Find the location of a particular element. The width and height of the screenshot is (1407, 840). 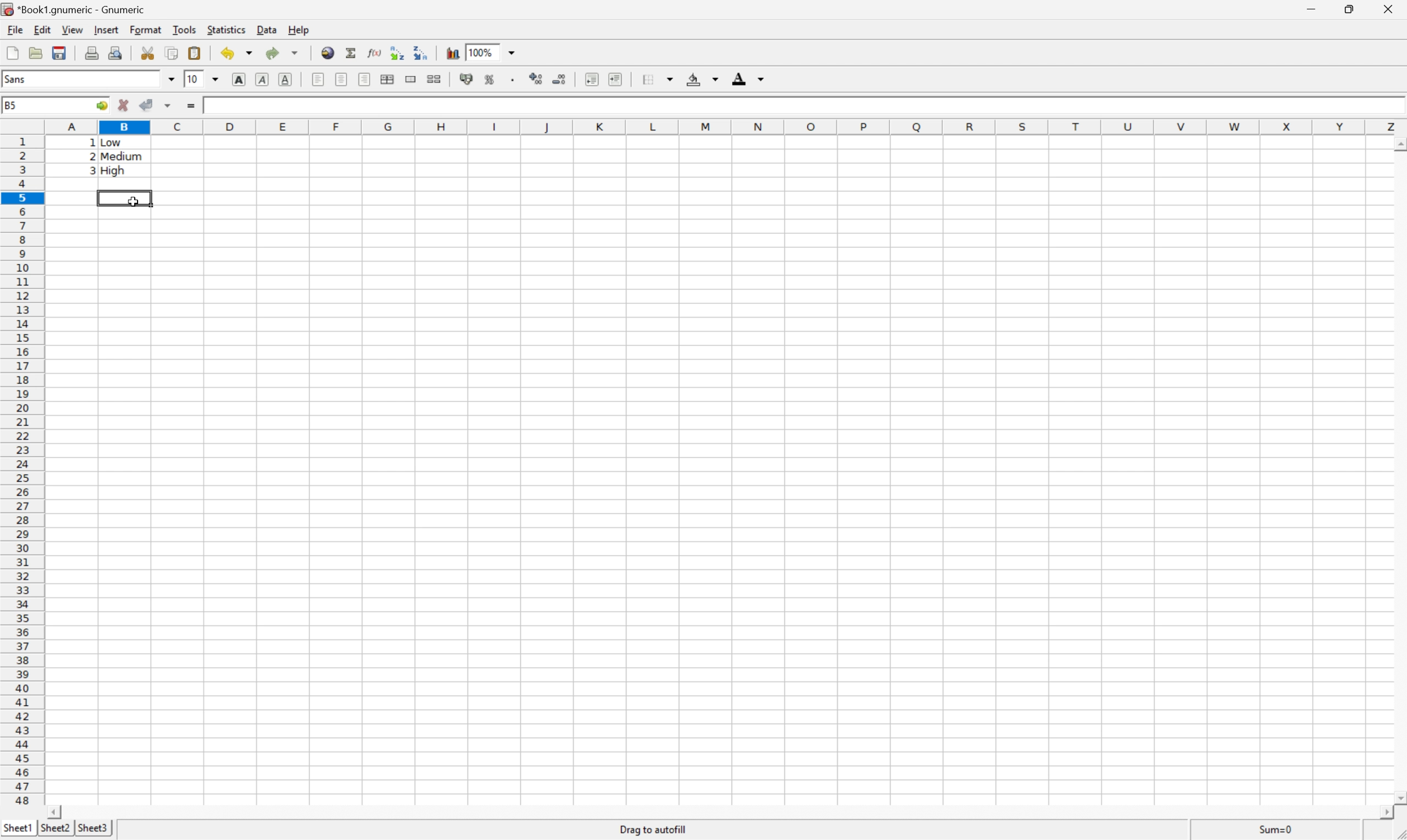

Sum=1 is located at coordinates (1275, 829).